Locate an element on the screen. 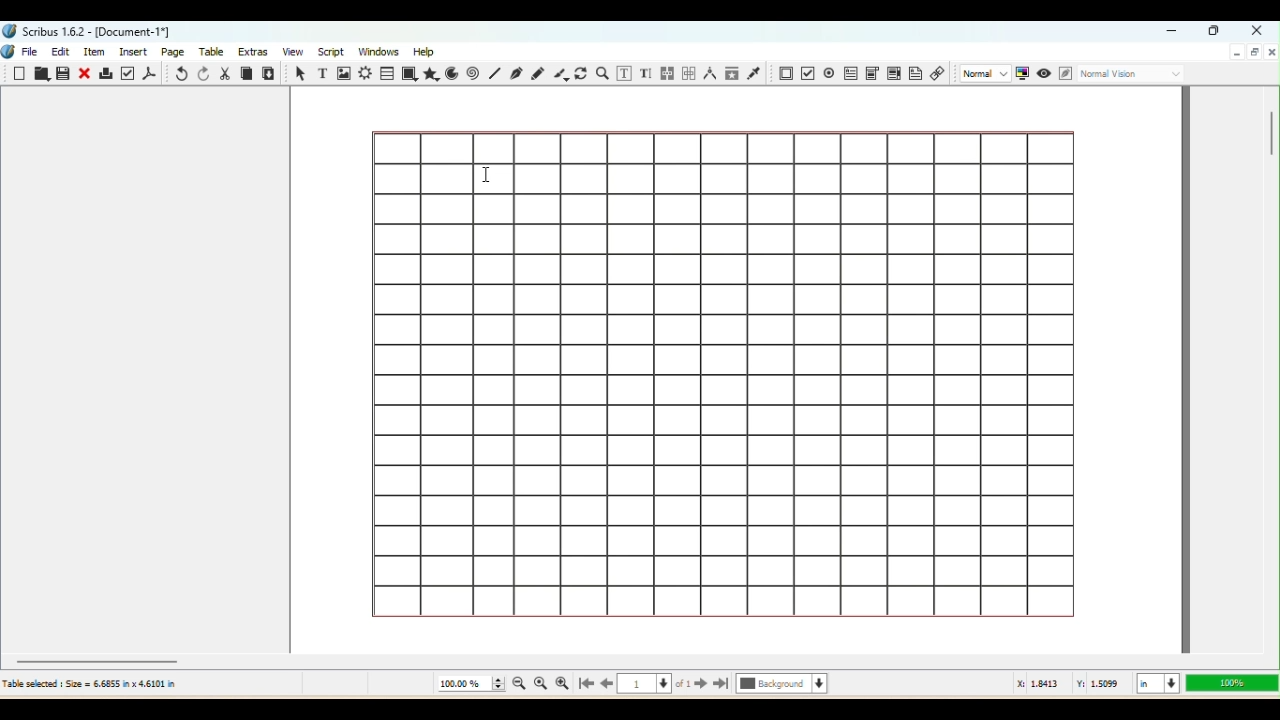  Scribus 1.6.2- [Document-1"] is located at coordinates (90, 31).